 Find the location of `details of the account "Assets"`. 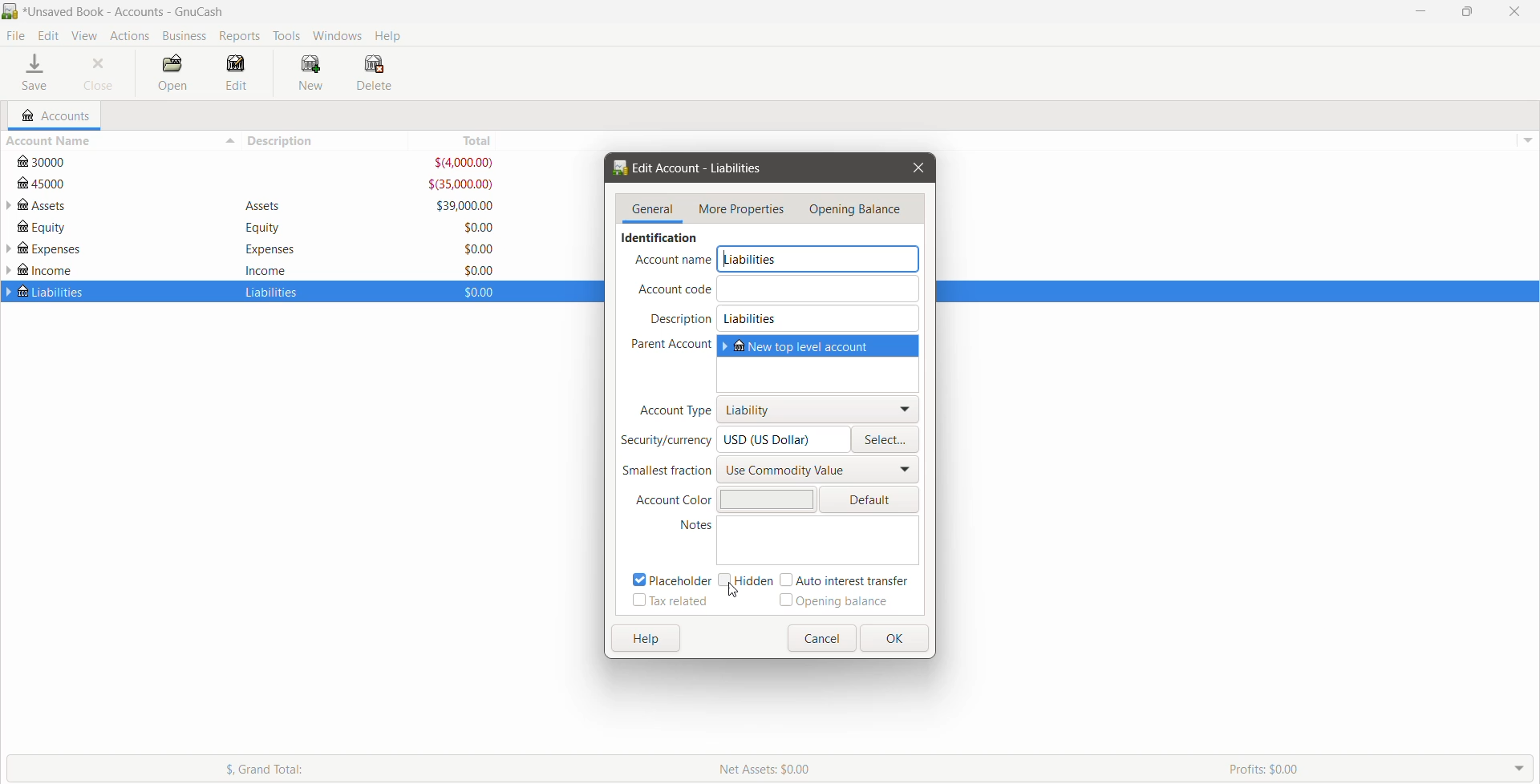

details of the account "Assets" is located at coordinates (264, 207).